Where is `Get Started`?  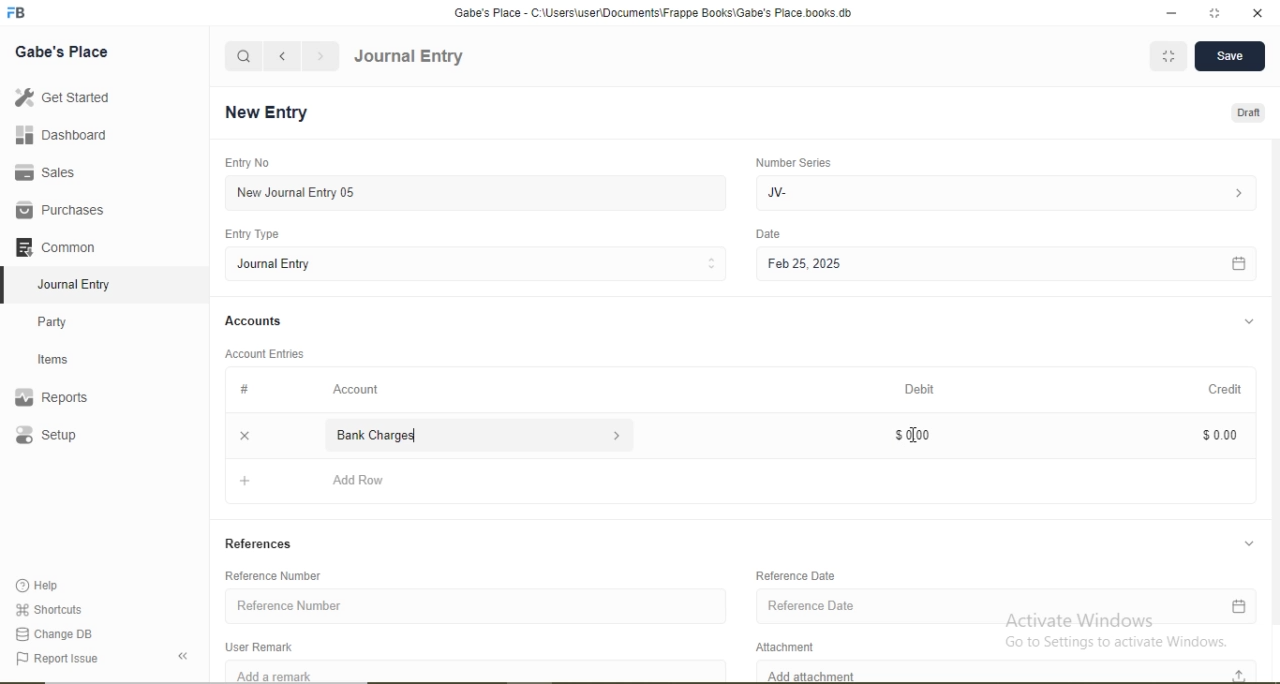 Get Started is located at coordinates (60, 97).